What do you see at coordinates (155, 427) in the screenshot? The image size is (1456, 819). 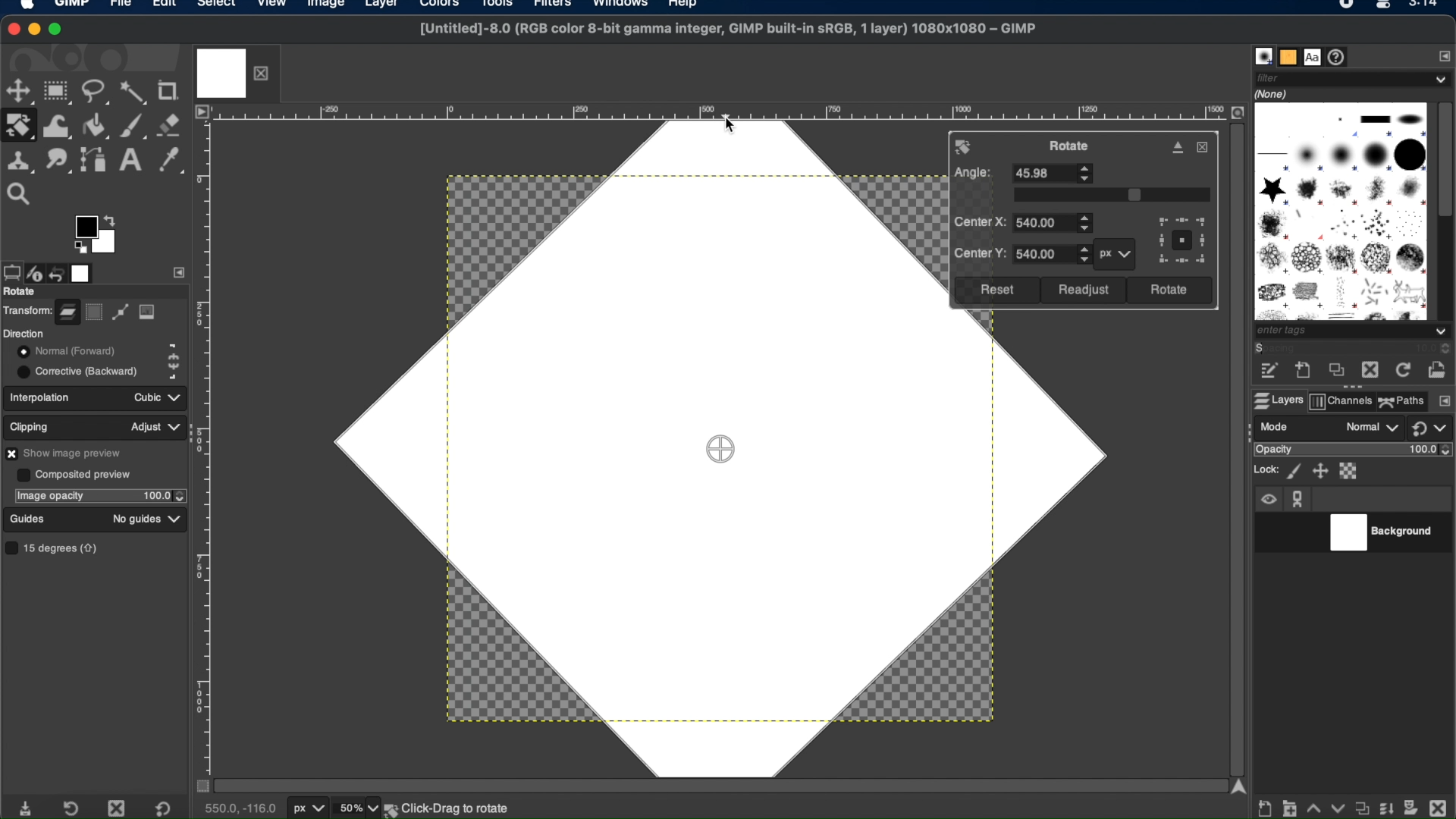 I see `adjust dropdown` at bounding box center [155, 427].